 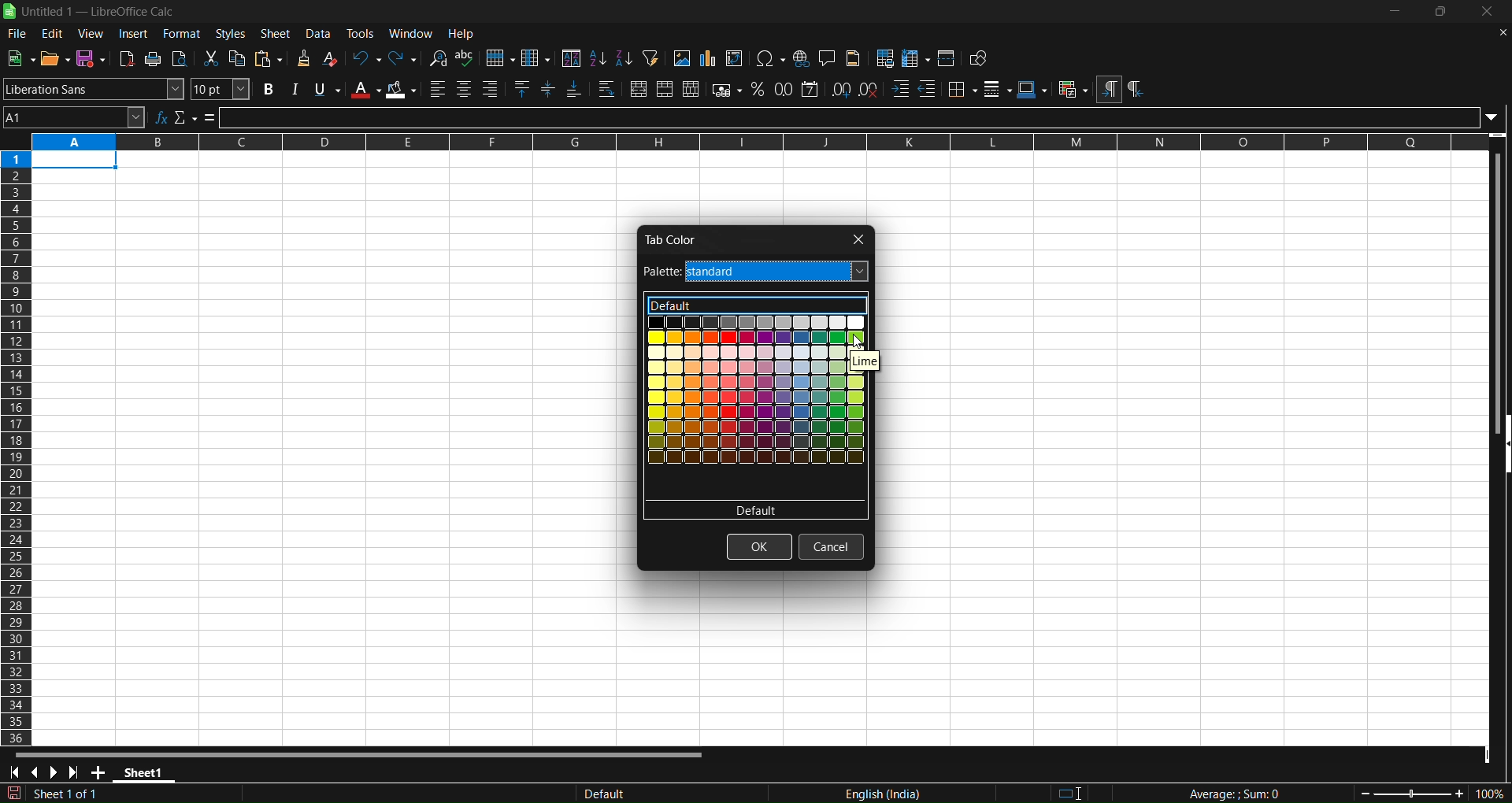 What do you see at coordinates (53, 34) in the screenshot?
I see `edit` at bounding box center [53, 34].